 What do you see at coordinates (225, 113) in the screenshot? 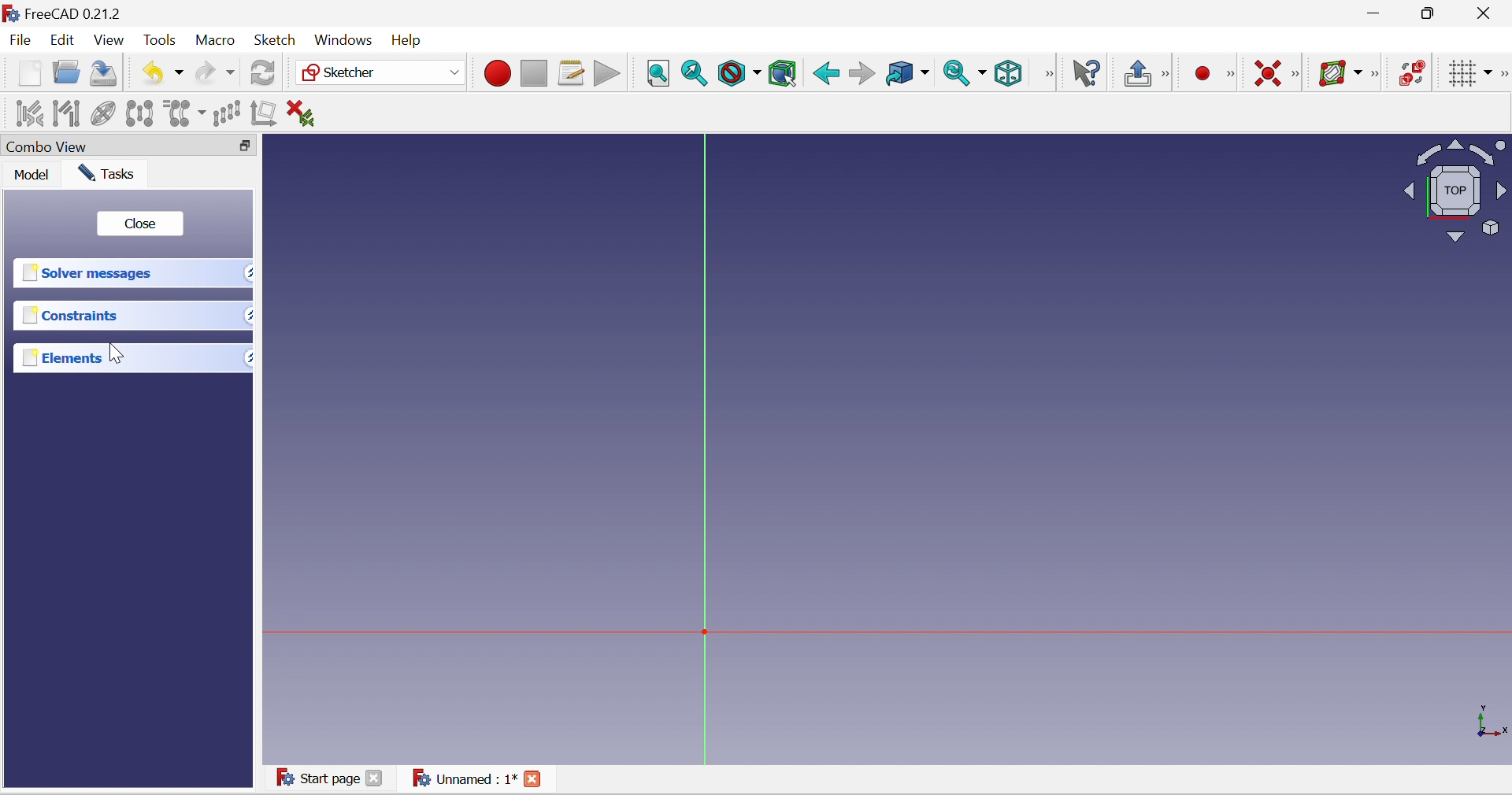
I see `Rectangular array` at bounding box center [225, 113].